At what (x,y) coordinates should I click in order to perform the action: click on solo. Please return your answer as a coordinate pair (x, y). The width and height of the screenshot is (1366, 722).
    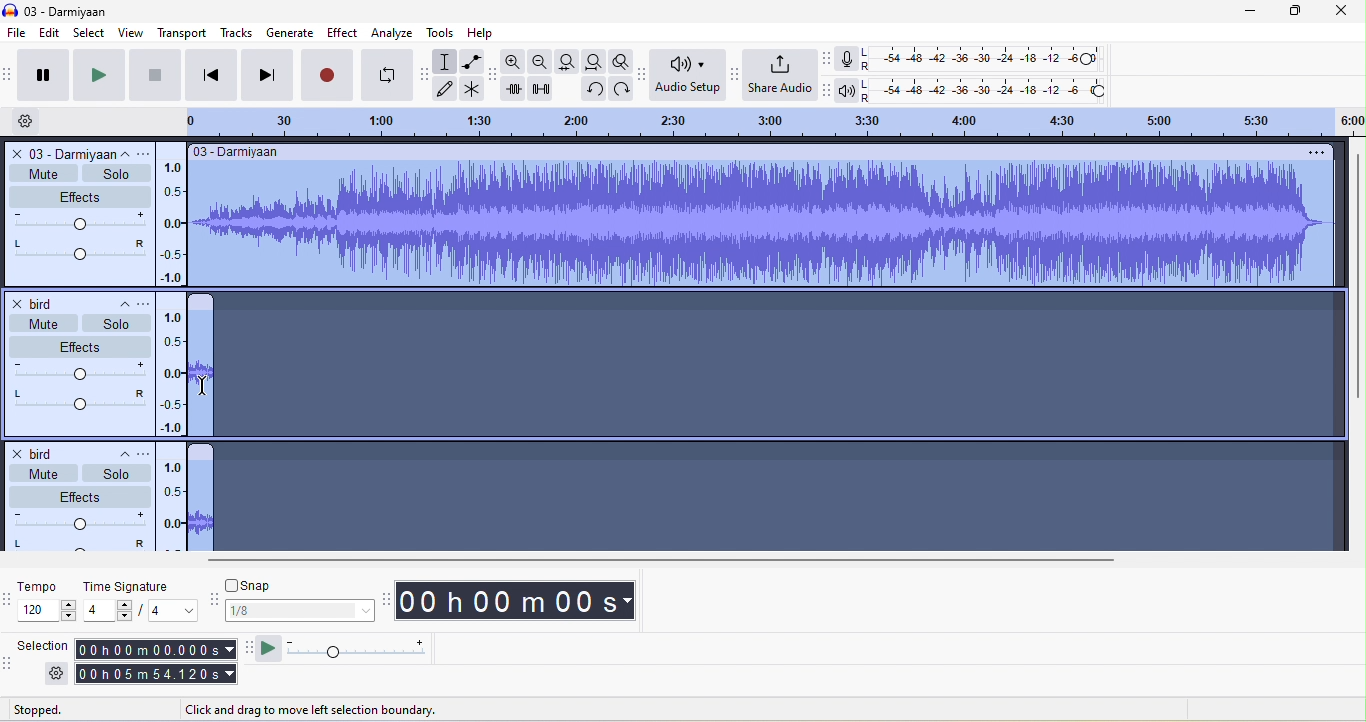
    Looking at the image, I should click on (115, 323).